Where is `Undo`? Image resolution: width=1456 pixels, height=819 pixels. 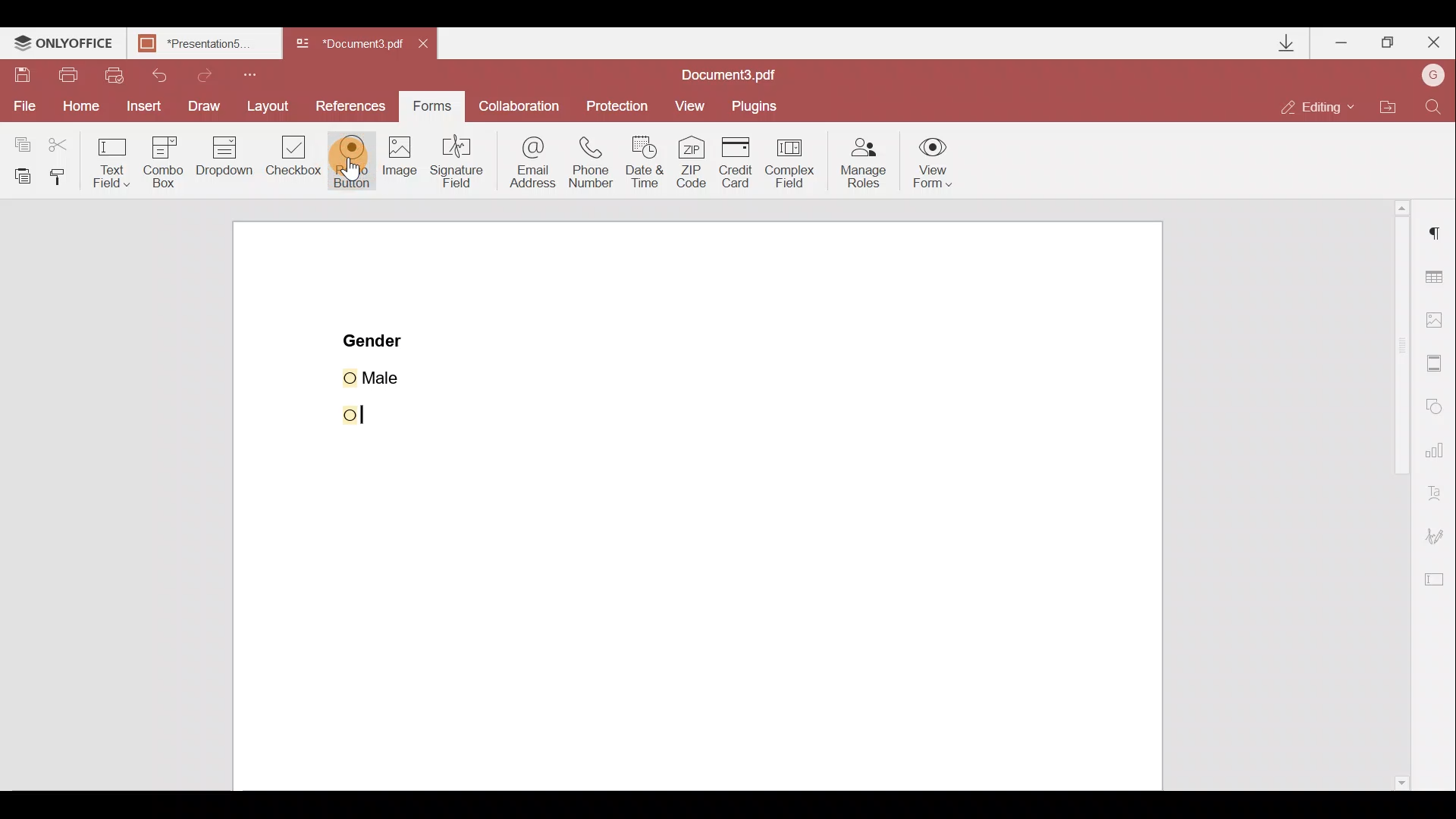
Undo is located at coordinates (167, 74).